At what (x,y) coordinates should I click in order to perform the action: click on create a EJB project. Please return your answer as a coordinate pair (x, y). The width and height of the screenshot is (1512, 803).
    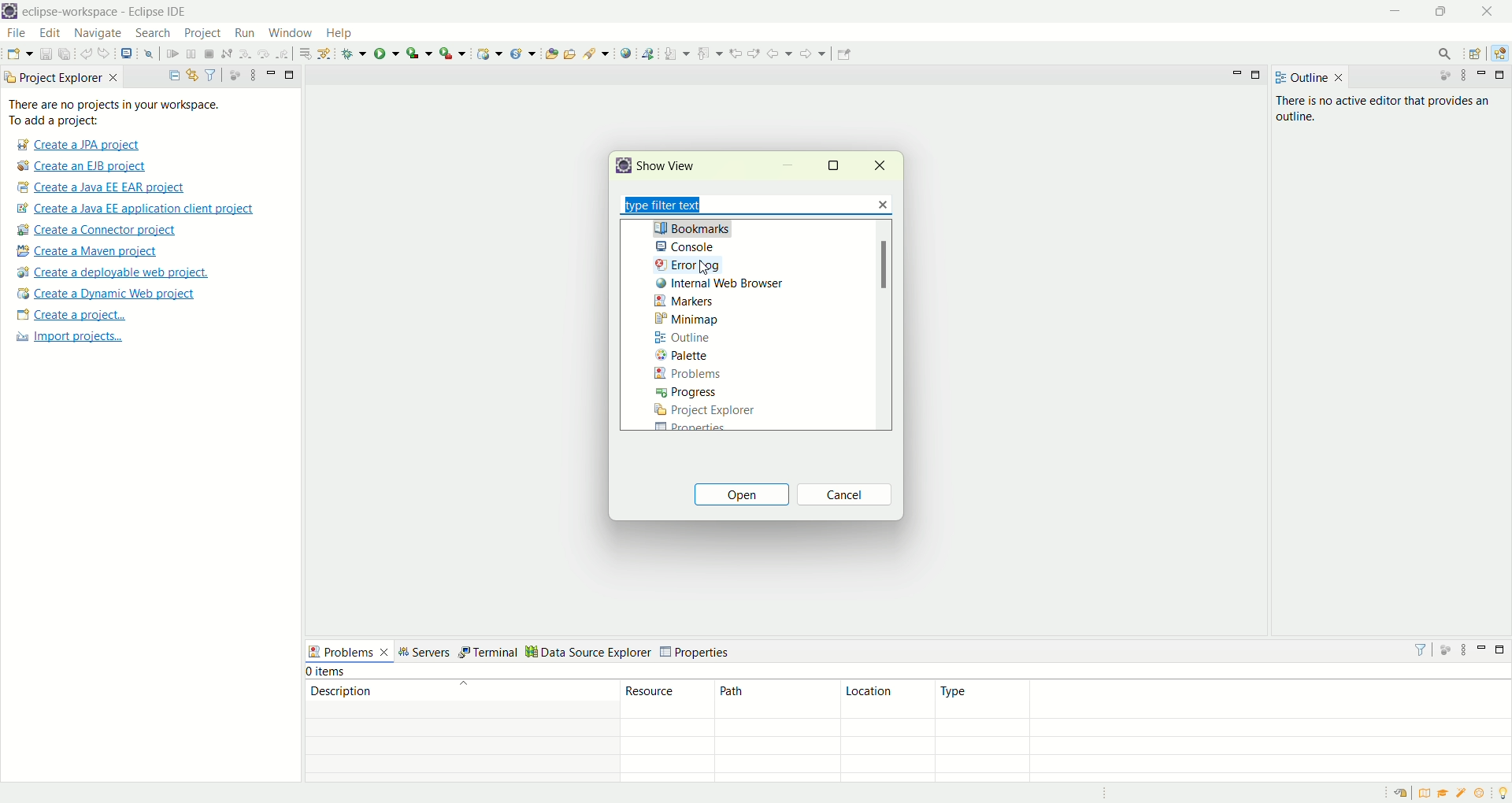
    Looking at the image, I should click on (85, 166).